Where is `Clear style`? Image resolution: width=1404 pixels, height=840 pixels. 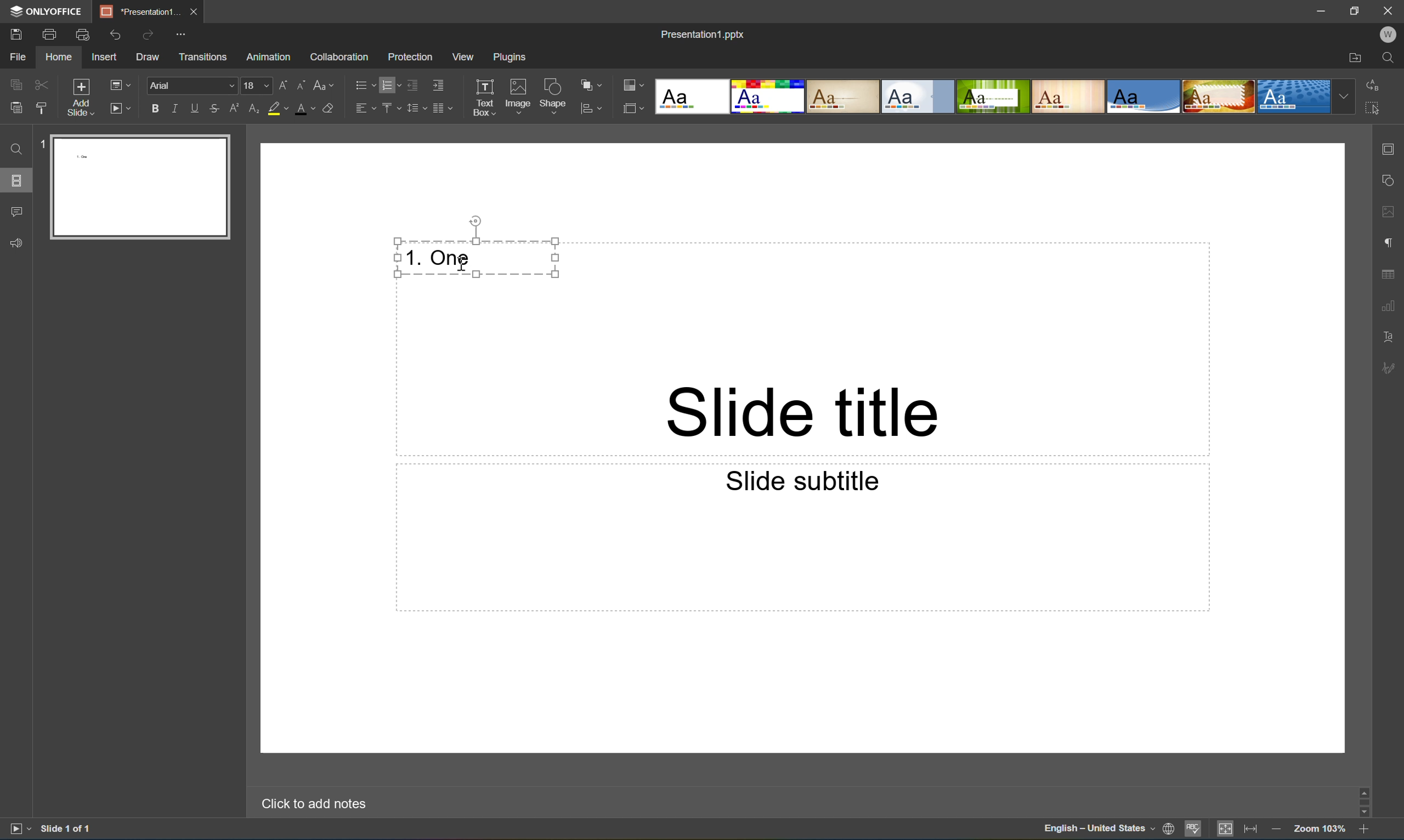
Clear style is located at coordinates (330, 107).